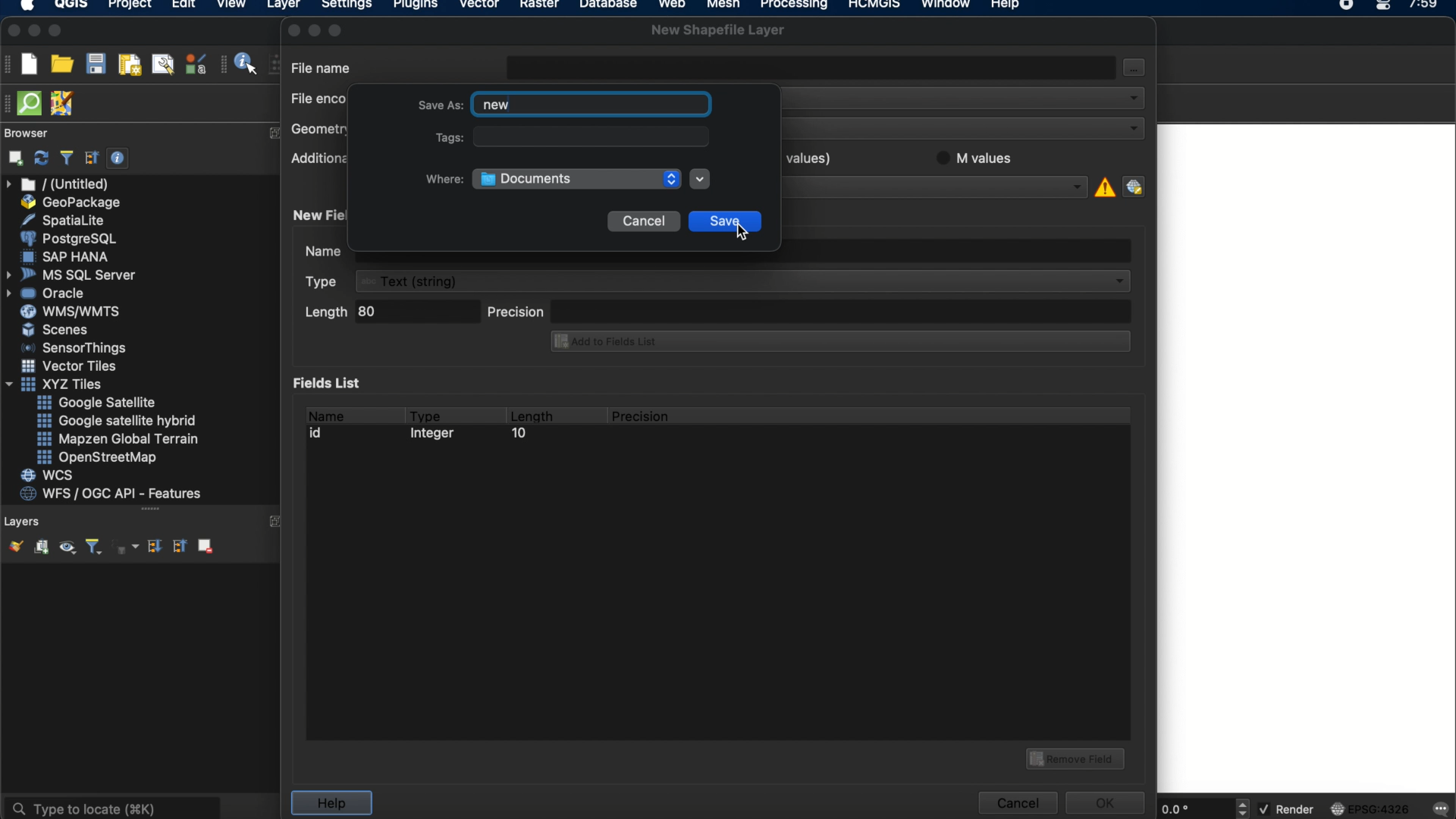 This screenshot has height=819, width=1456. What do you see at coordinates (29, 64) in the screenshot?
I see `new project` at bounding box center [29, 64].